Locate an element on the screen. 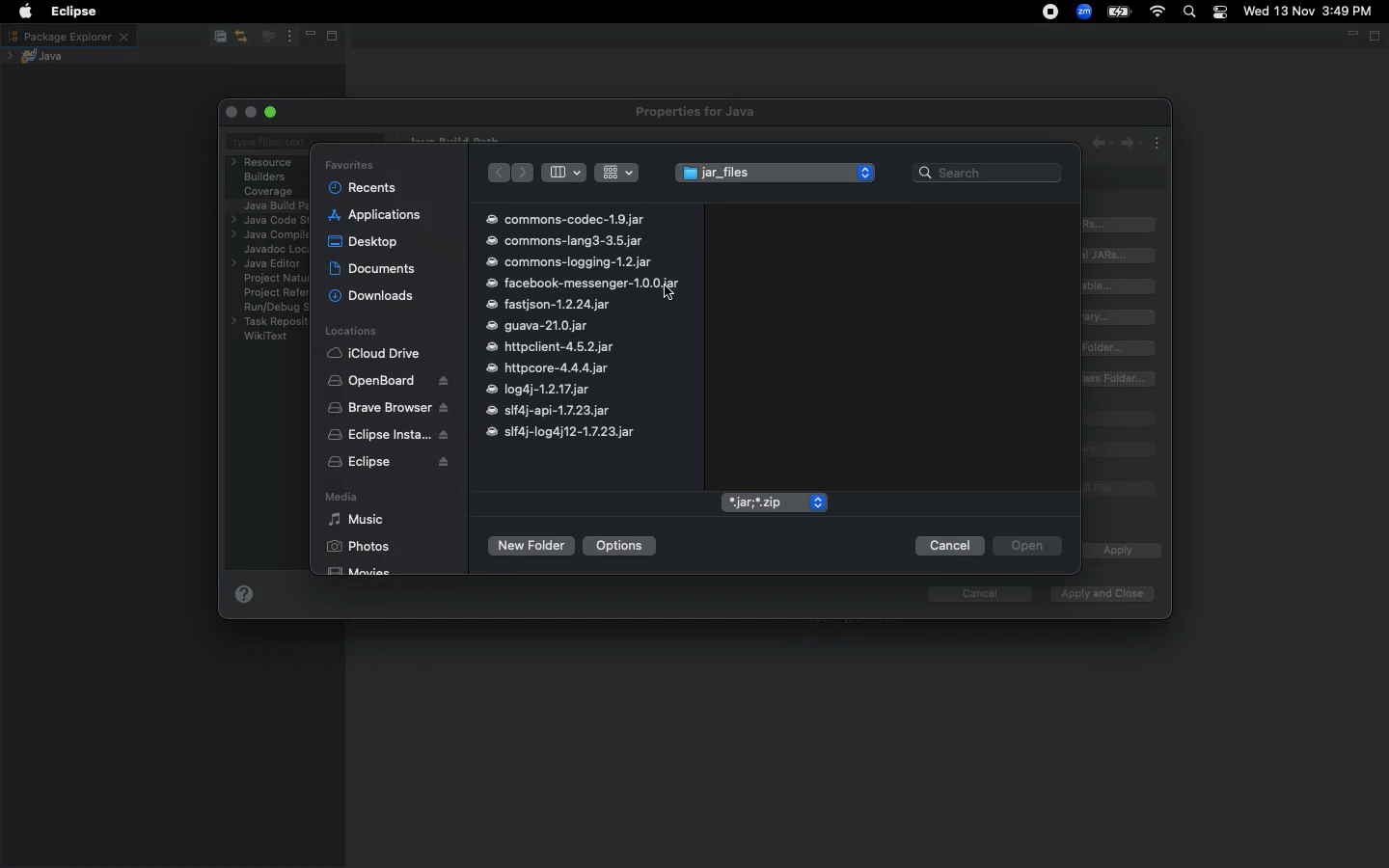  Favorites is located at coordinates (349, 165).